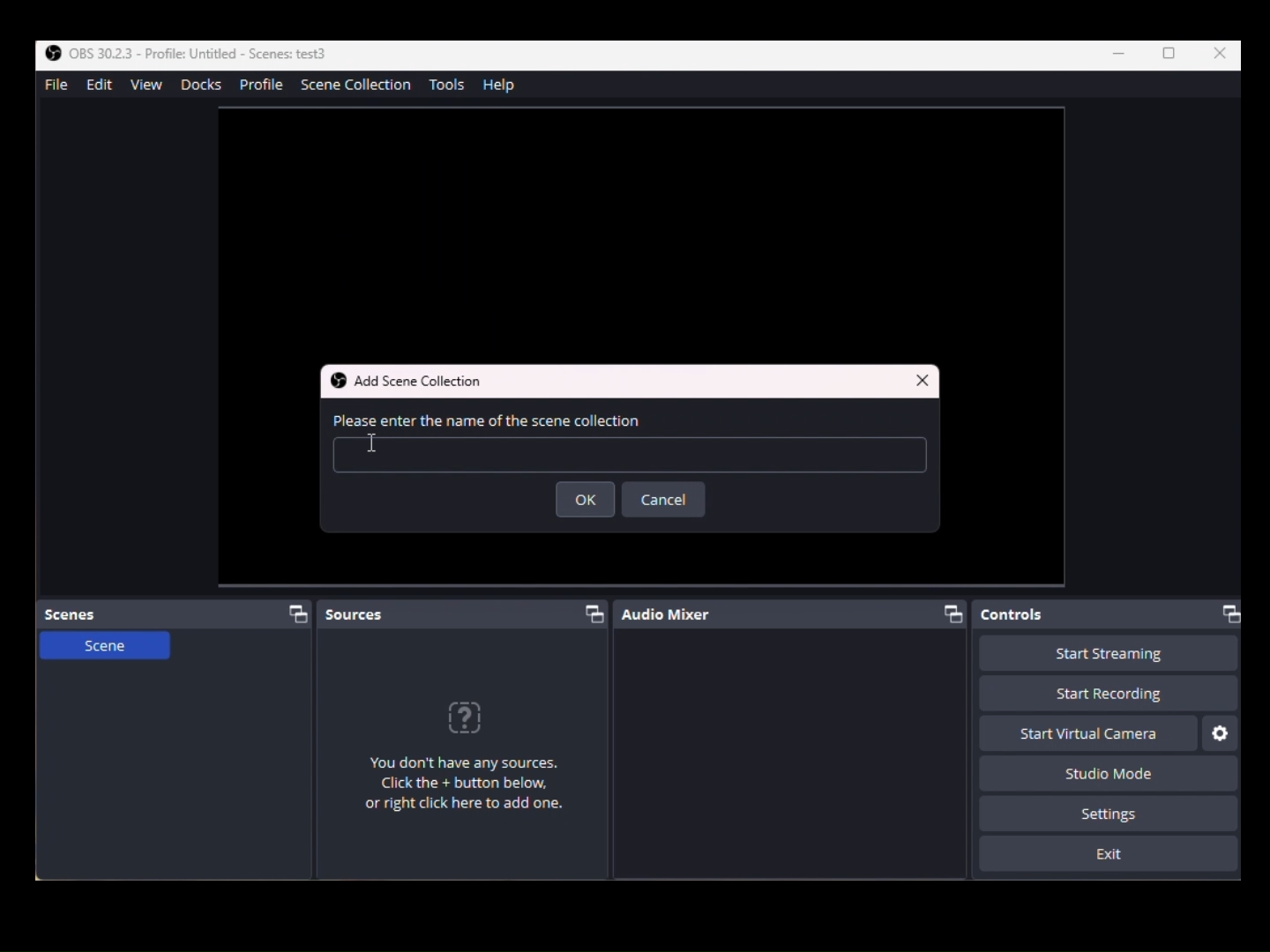 This screenshot has width=1270, height=952. What do you see at coordinates (96, 86) in the screenshot?
I see `Edit` at bounding box center [96, 86].